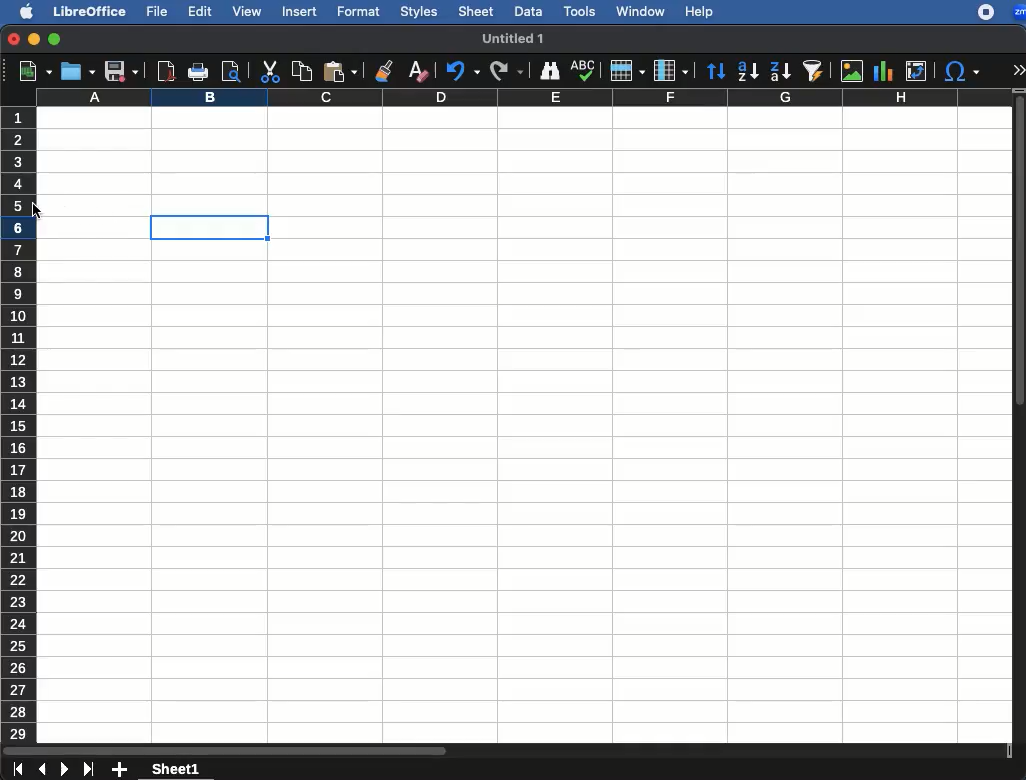 The height and width of the screenshot is (780, 1026). Describe the element at coordinates (175, 771) in the screenshot. I see `sheet1` at that location.